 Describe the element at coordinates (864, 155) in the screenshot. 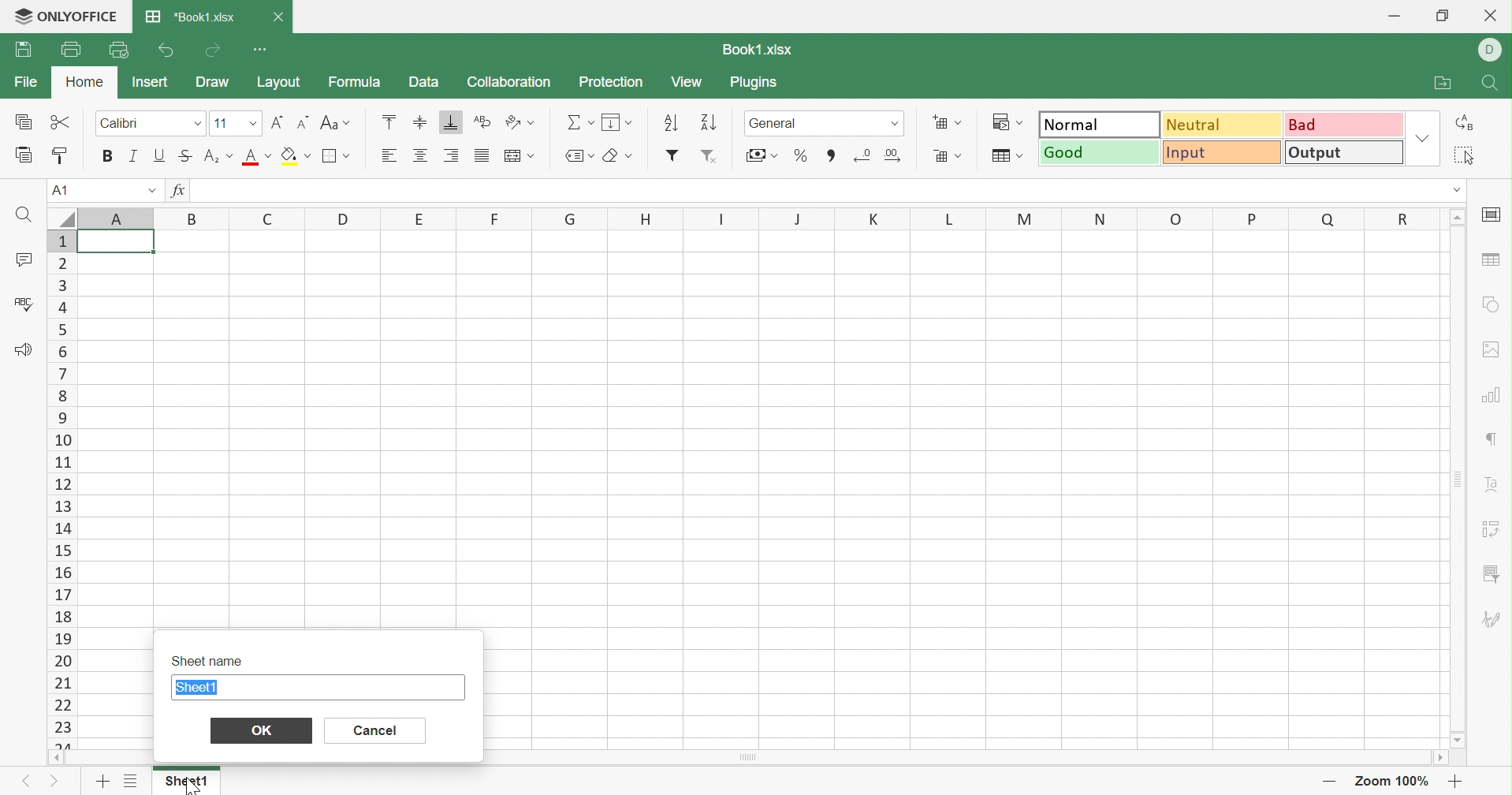

I see `Decrease decimal` at that location.